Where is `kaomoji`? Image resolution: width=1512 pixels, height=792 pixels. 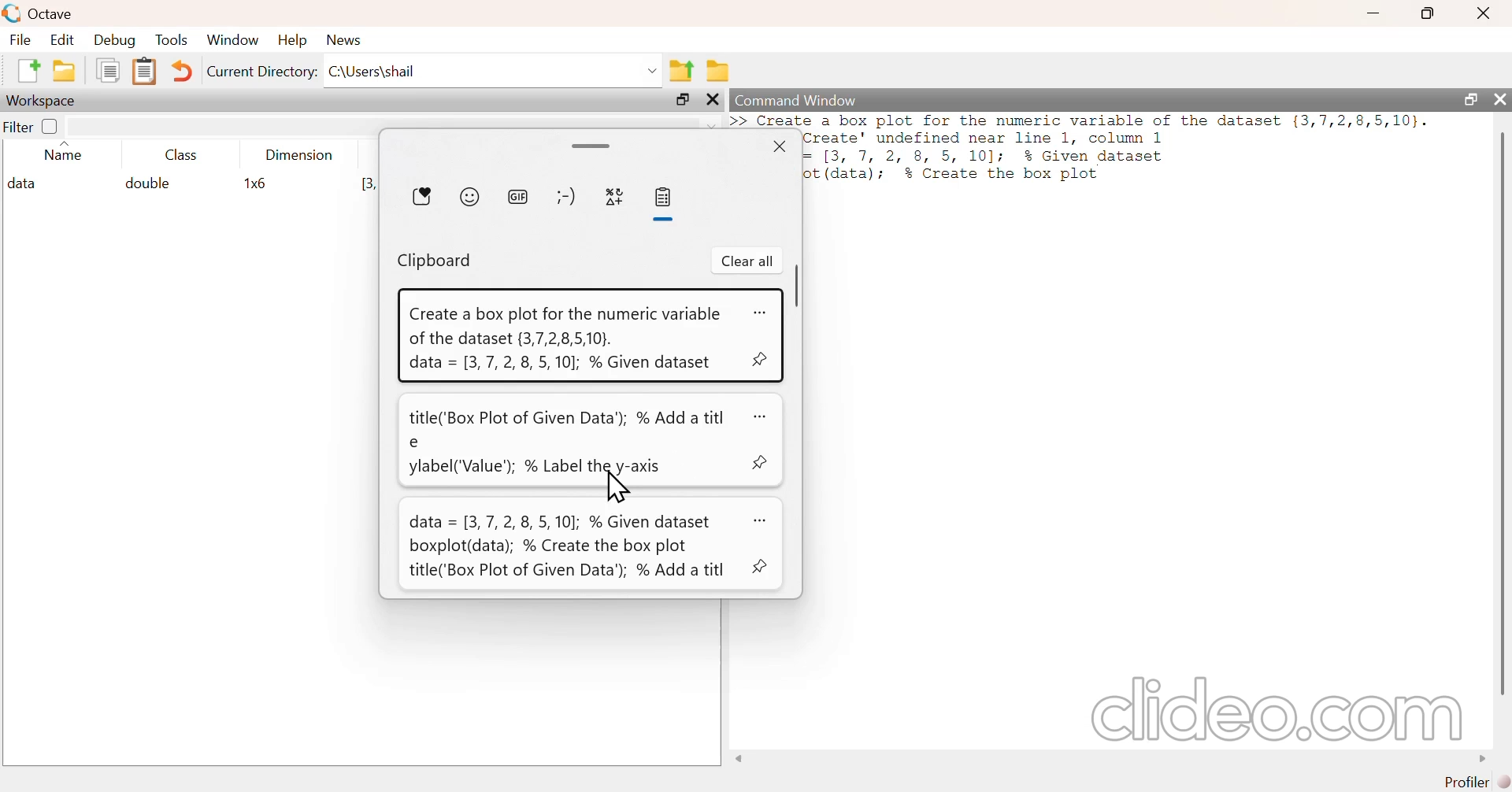 kaomoji is located at coordinates (567, 198).